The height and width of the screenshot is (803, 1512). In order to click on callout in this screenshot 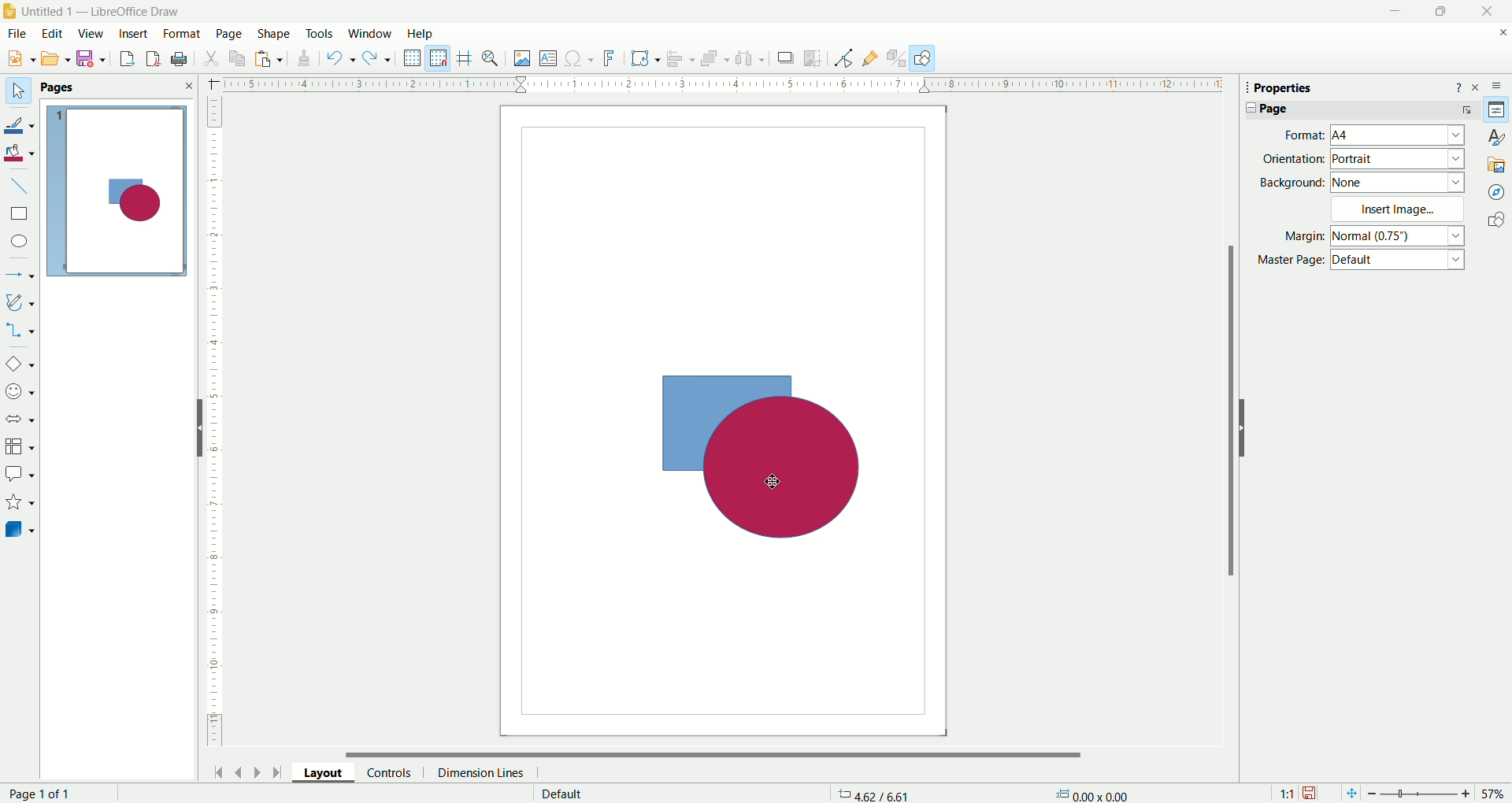, I will do `click(20, 473)`.